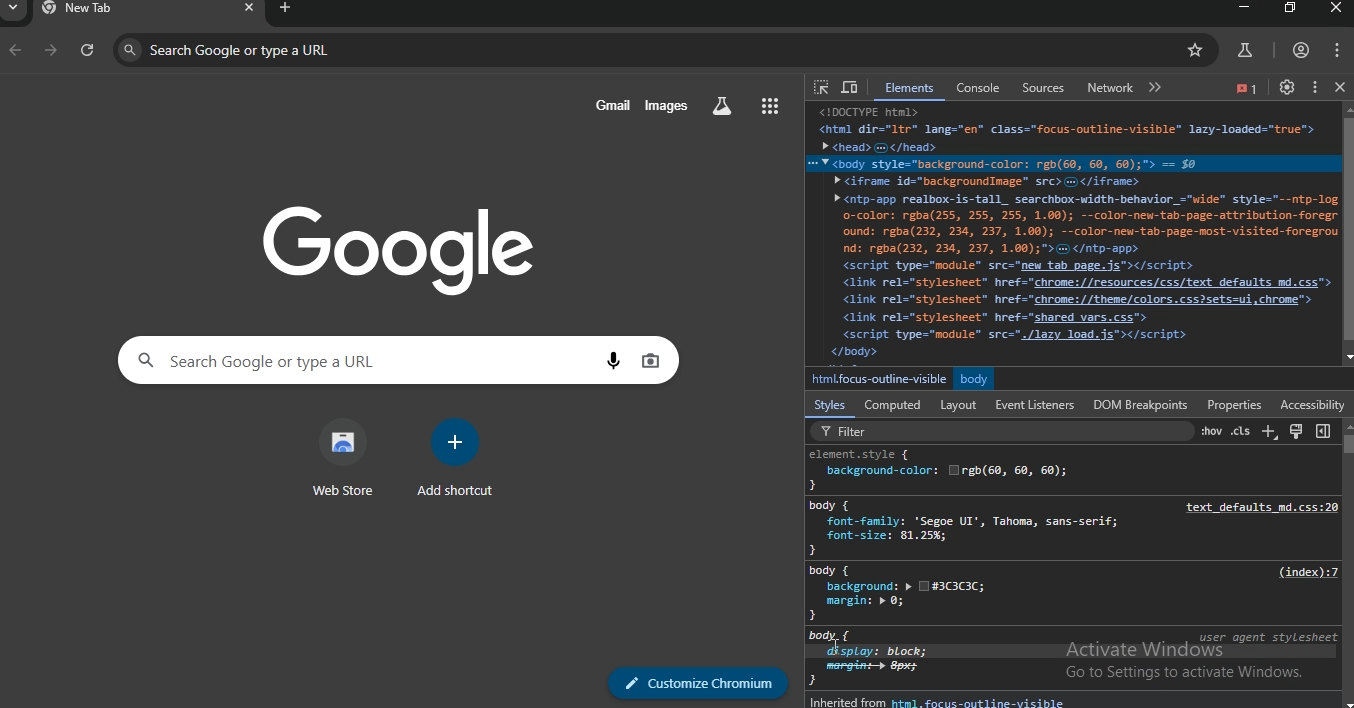 The width and height of the screenshot is (1354, 708). What do you see at coordinates (1139, 405) in the screenshot?
I see `DOM Breakpoints` at bounding box center [1139, 405].